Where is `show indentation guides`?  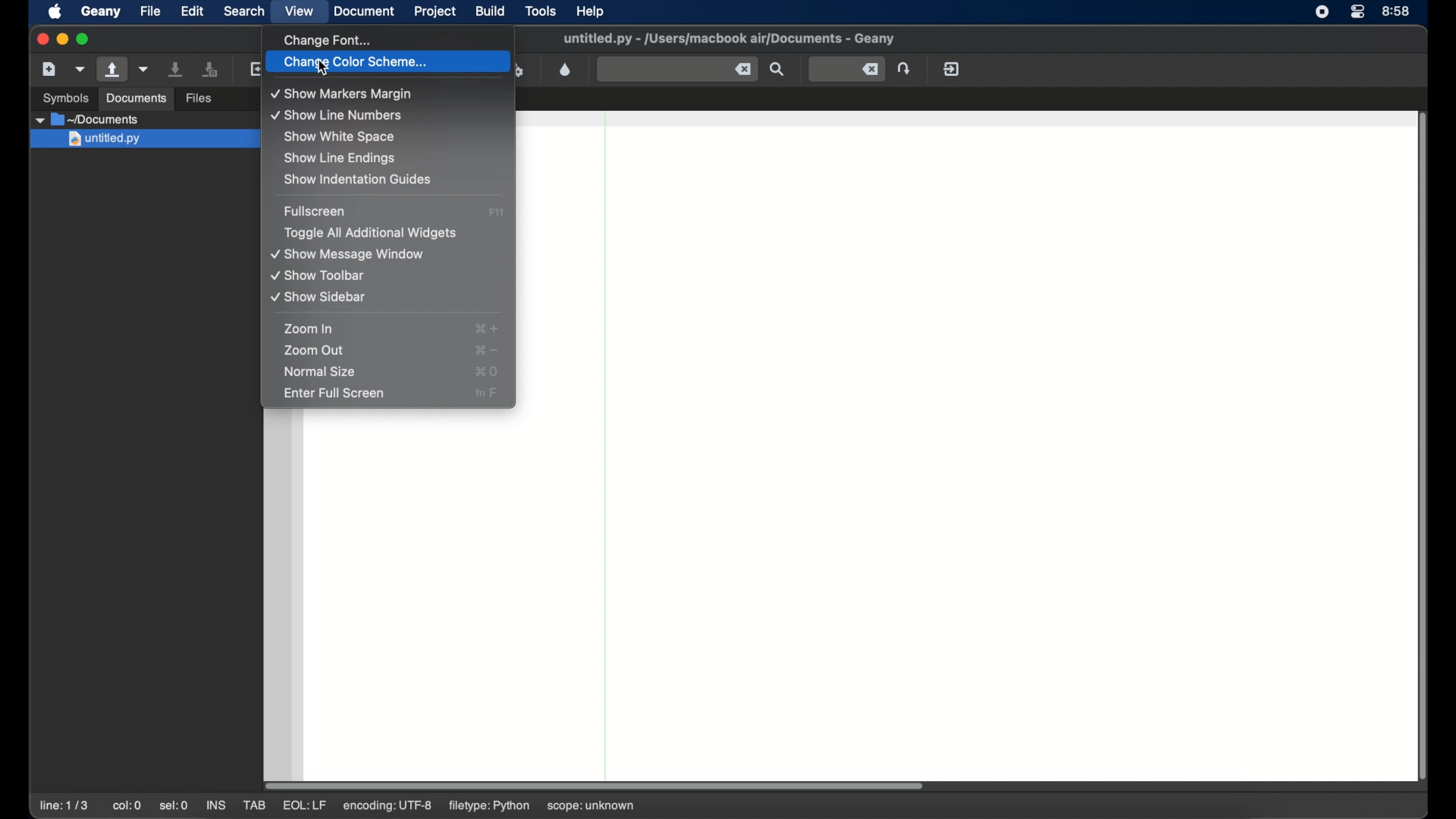
show indentation guides is located at coordinates (358, 179).